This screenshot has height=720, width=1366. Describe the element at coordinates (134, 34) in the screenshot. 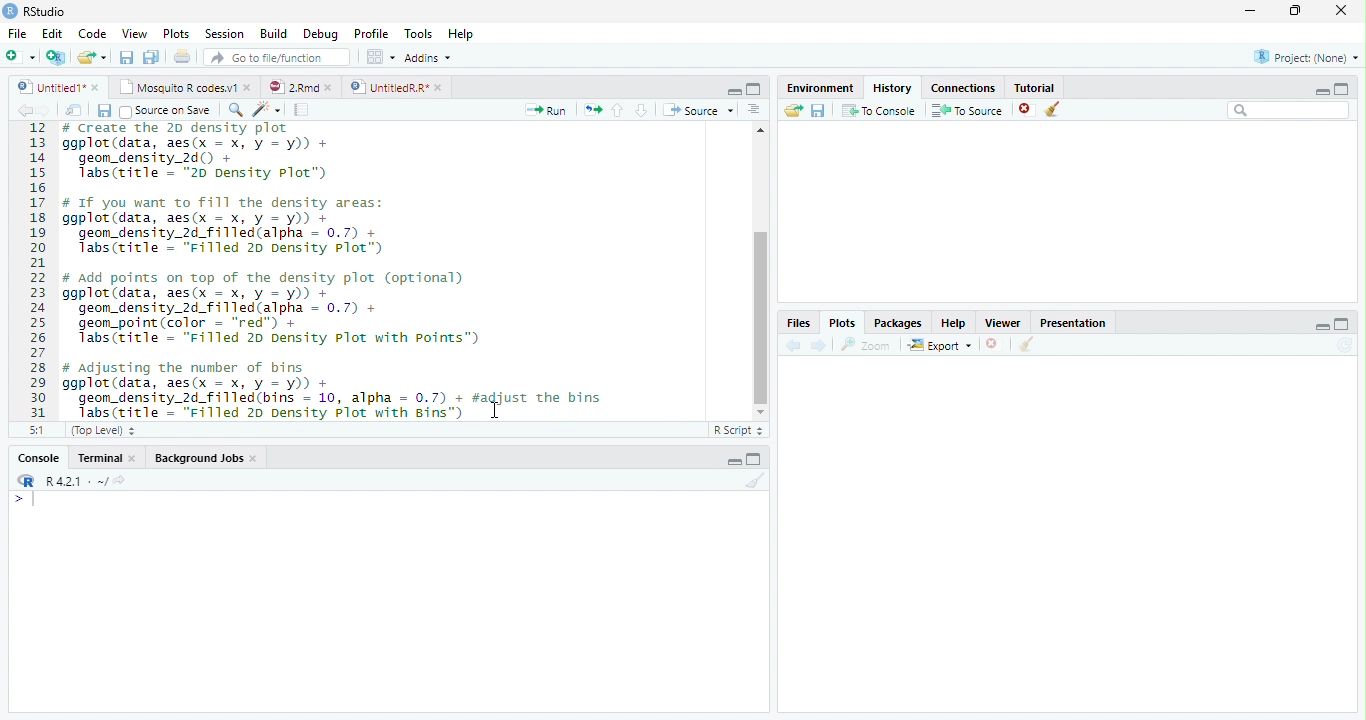

I see `View` at that location.